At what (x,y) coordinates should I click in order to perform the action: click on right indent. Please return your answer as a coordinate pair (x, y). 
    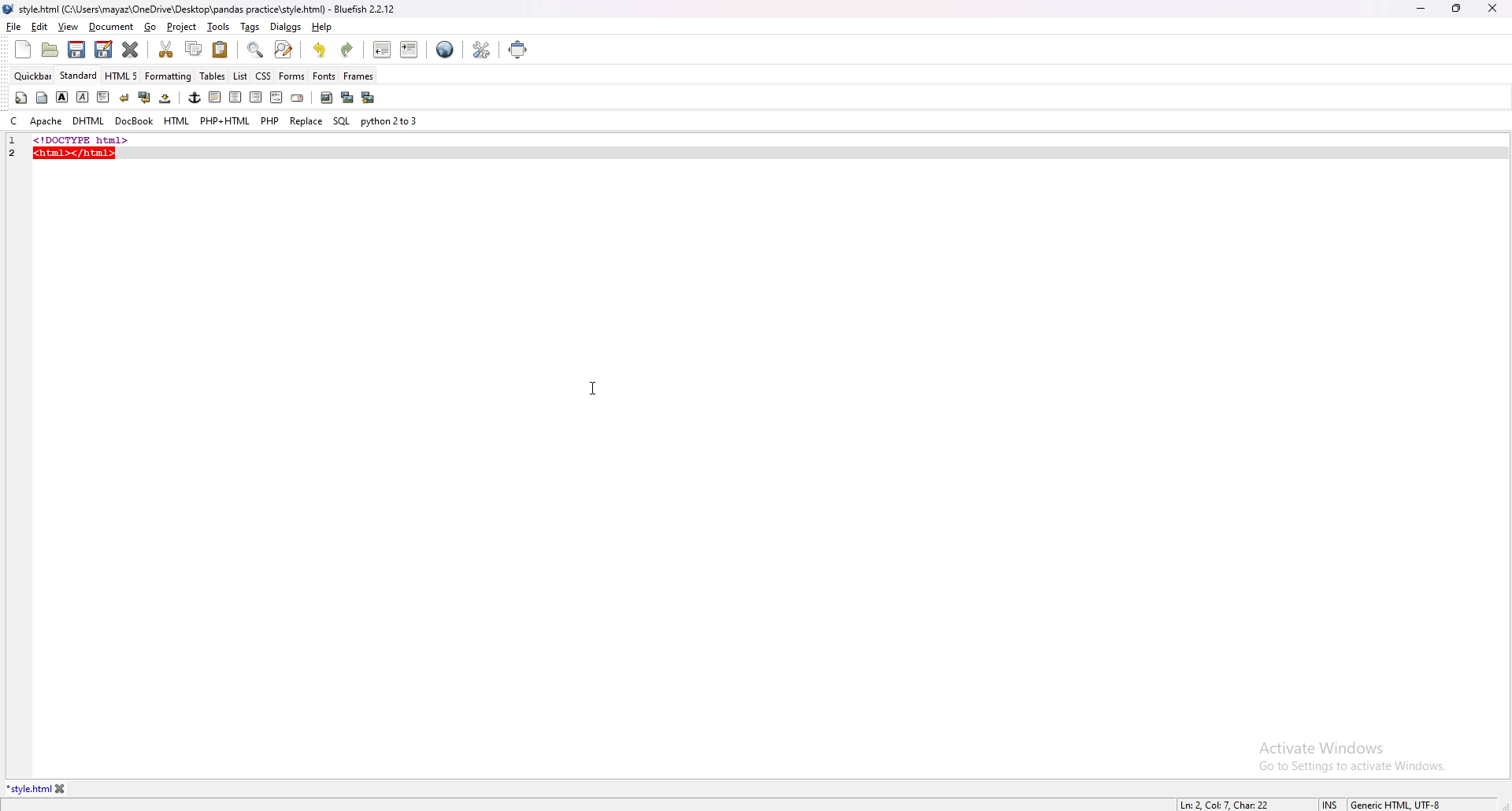
    Looking at the image, I should click on (254, 97).